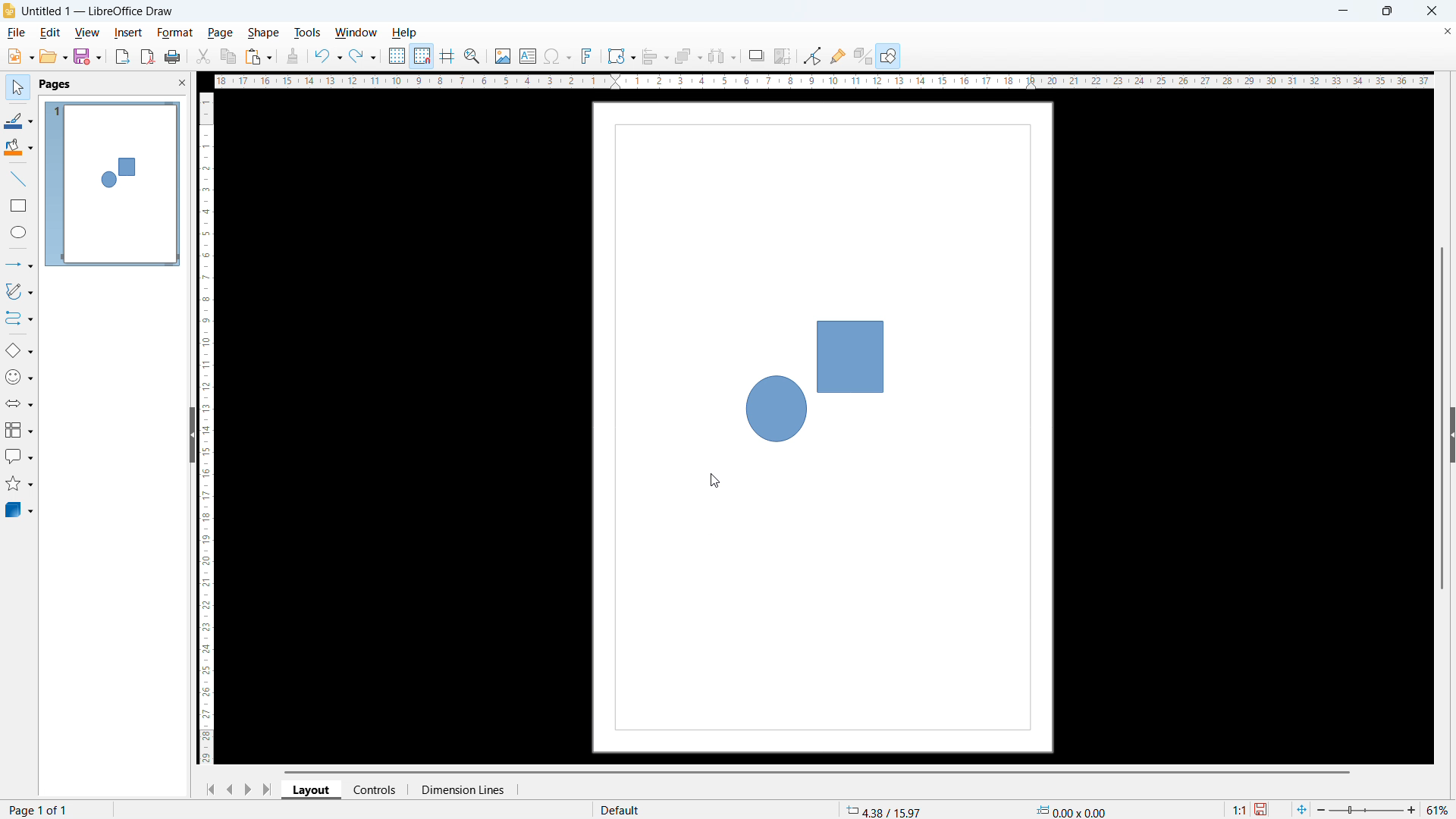 The width and height of the screenshot is (1456, 819). What do you see at coordinates (115, 184) in the screenshot?
I see `page display` at bounding box center [115, 184].